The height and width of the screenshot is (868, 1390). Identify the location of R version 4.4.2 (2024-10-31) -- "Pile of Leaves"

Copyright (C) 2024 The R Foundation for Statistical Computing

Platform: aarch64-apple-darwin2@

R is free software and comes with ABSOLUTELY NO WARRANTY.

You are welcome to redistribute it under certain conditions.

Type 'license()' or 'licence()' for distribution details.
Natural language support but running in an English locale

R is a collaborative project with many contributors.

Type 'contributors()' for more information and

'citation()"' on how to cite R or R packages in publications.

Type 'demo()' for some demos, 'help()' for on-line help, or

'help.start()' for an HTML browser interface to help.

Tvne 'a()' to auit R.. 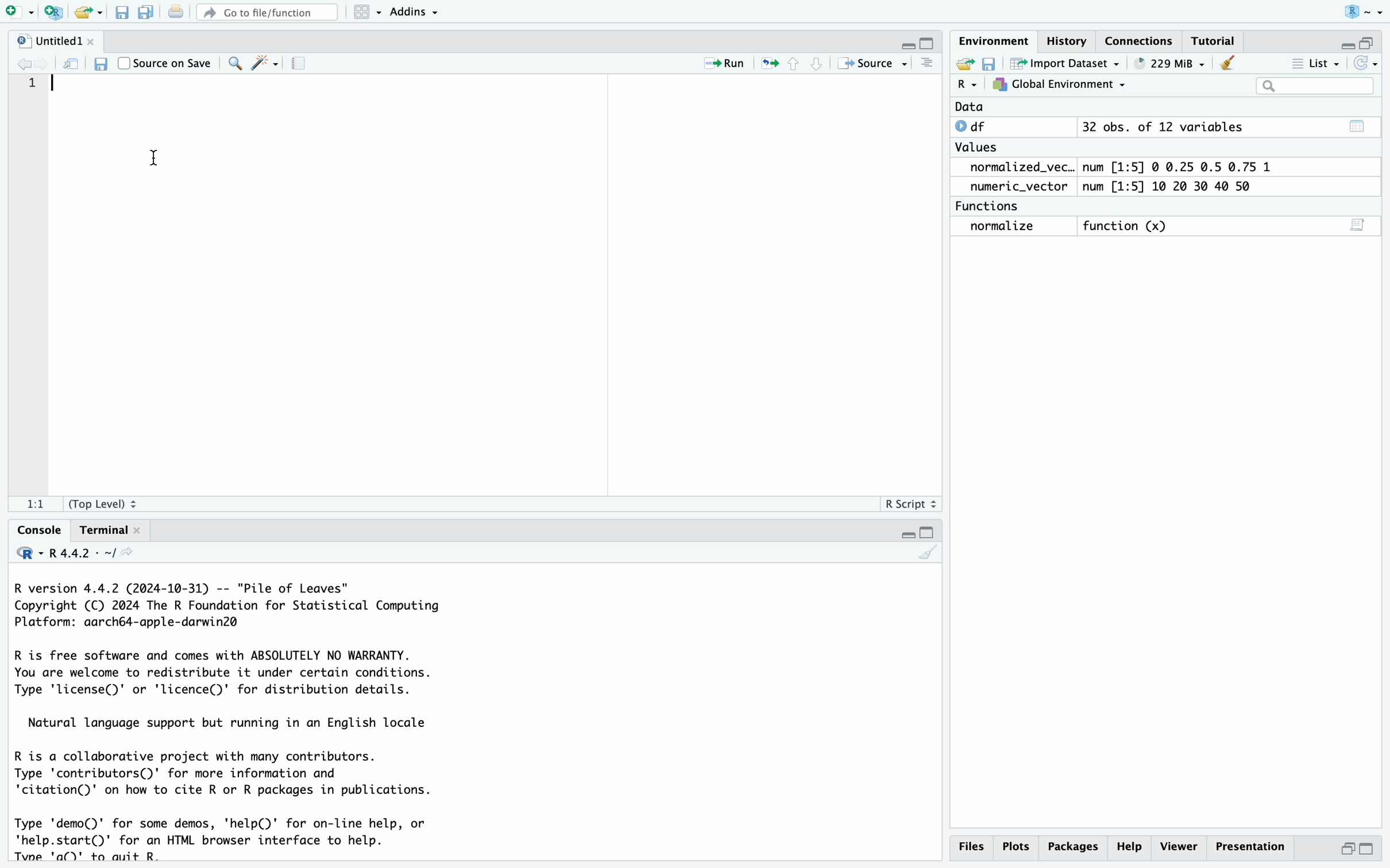
(228, 721).